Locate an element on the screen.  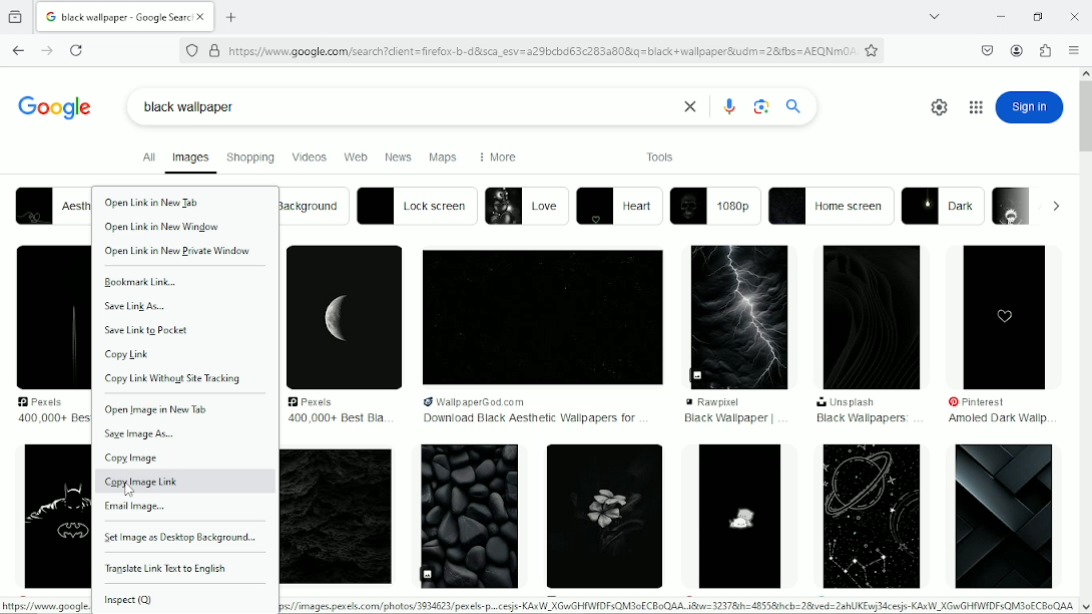
lock screen is located at coordinates (417, 205).